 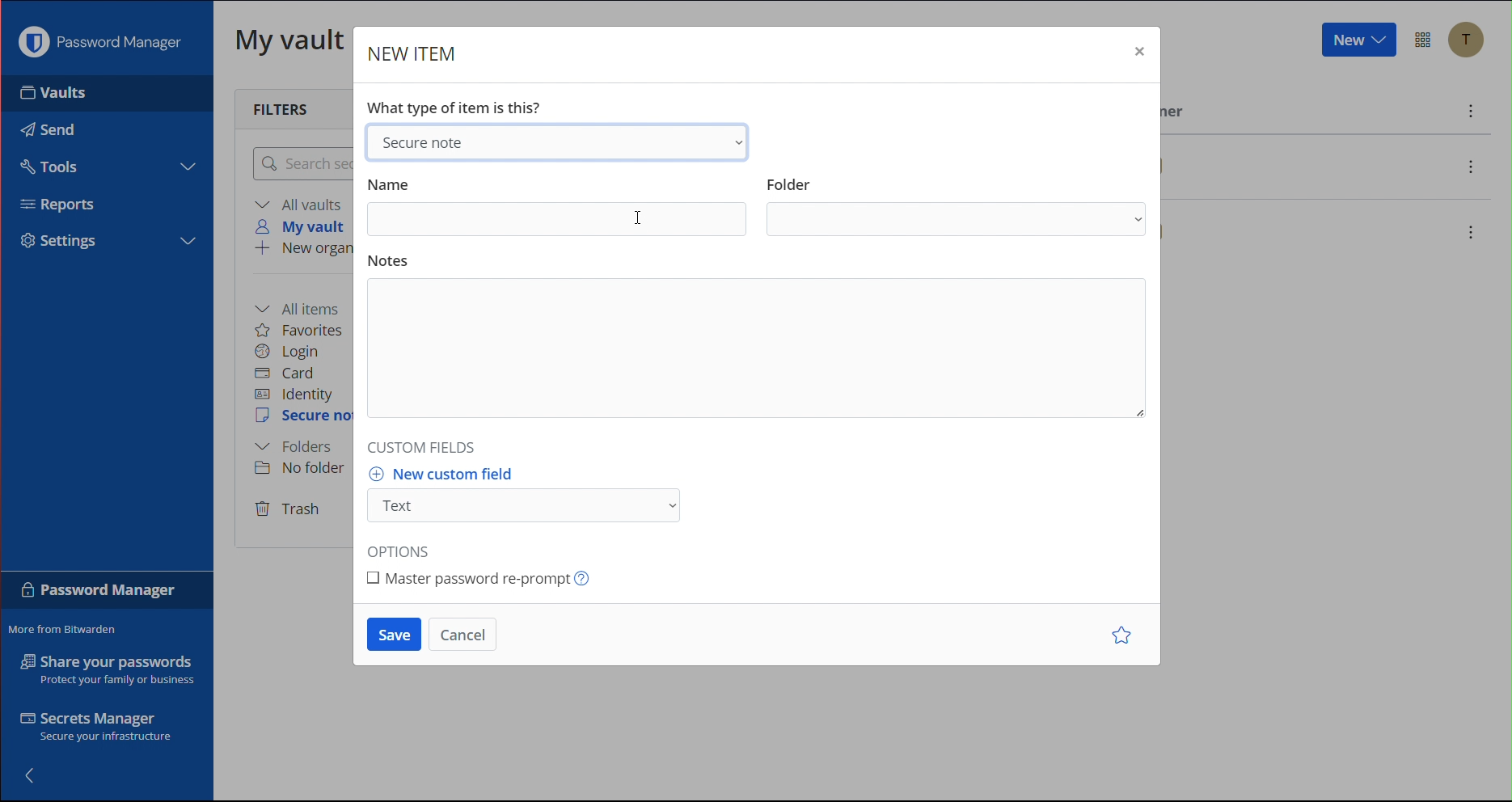 I want to click on Filters, so click(x=278, y=108).